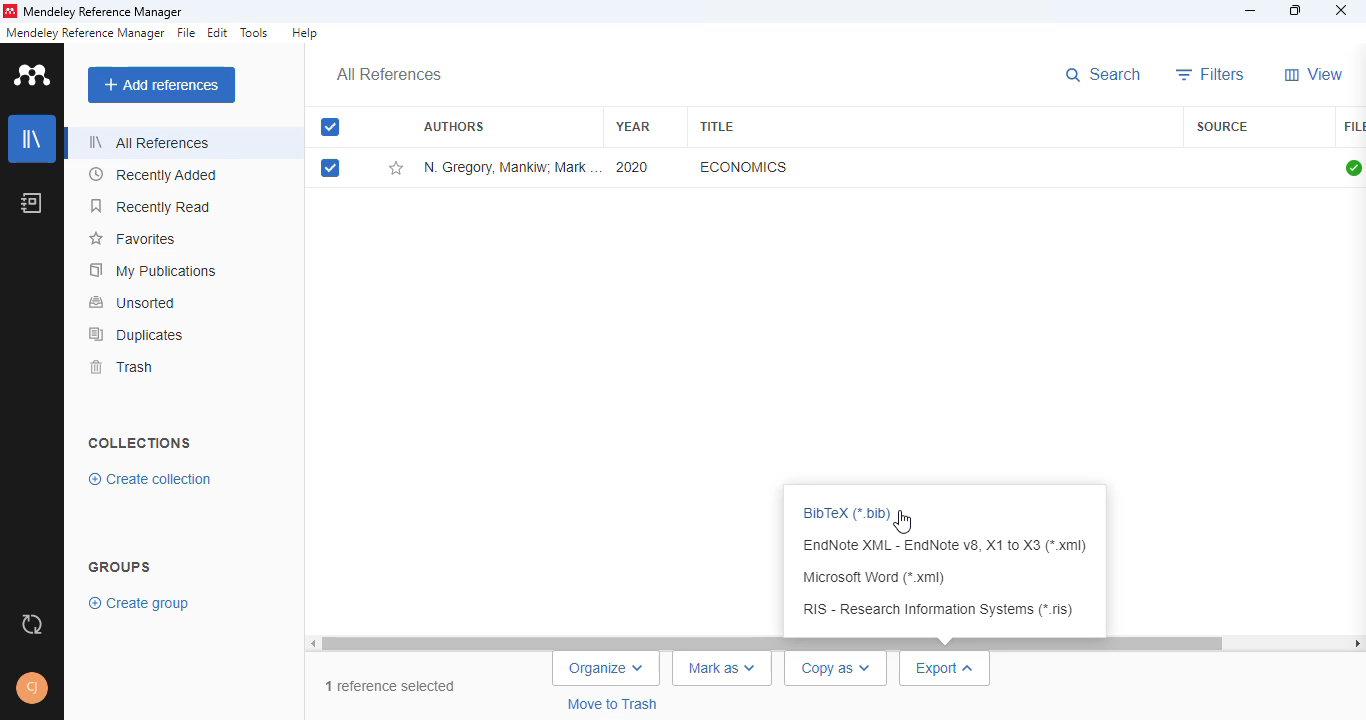  What do you see at coordinates (723, 669) in the screenshot?
I see `mark as` at bounding box center [723, 669].